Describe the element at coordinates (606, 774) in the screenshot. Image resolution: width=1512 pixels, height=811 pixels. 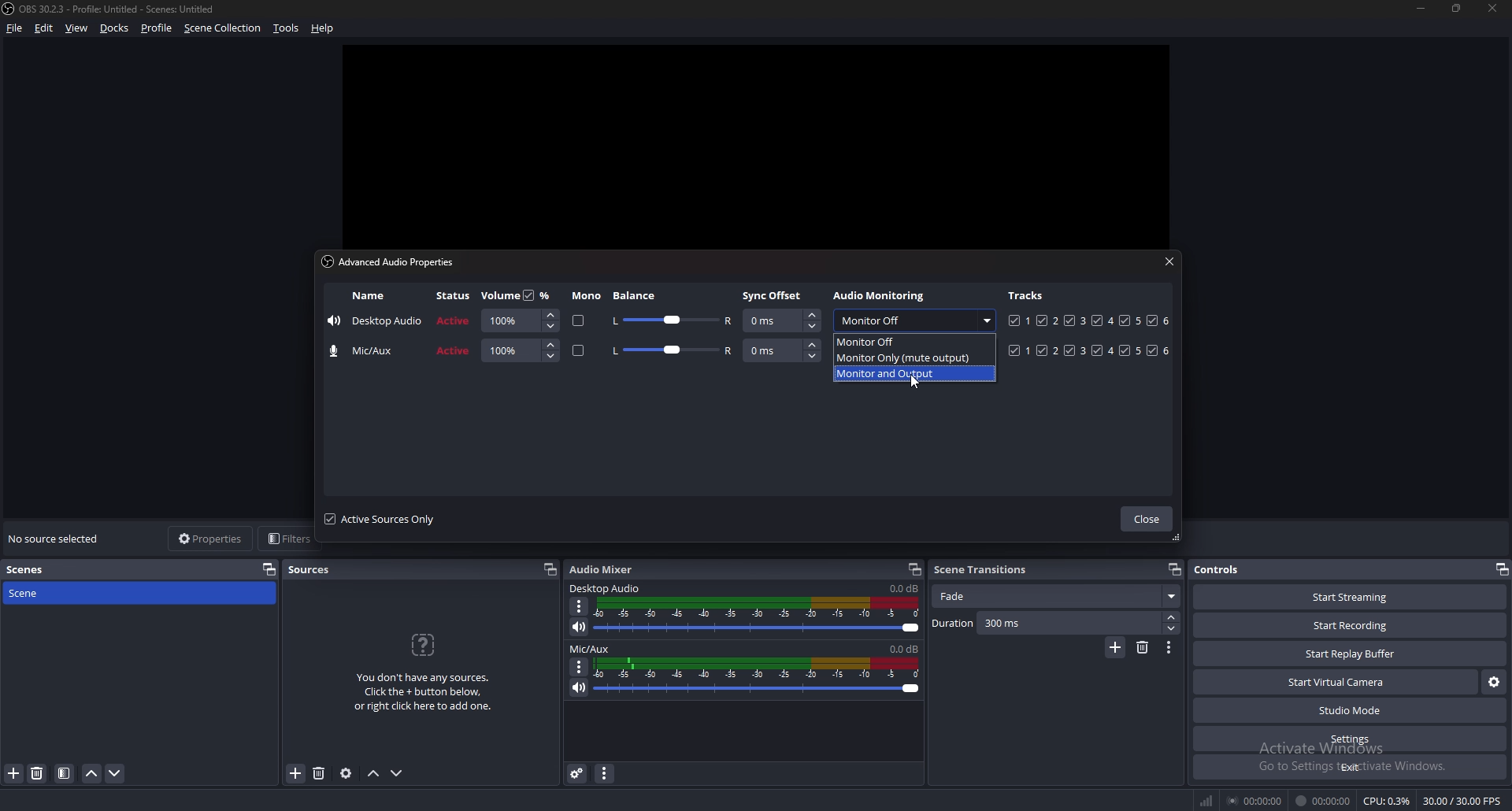
I see `audio mixer properties` at that location.